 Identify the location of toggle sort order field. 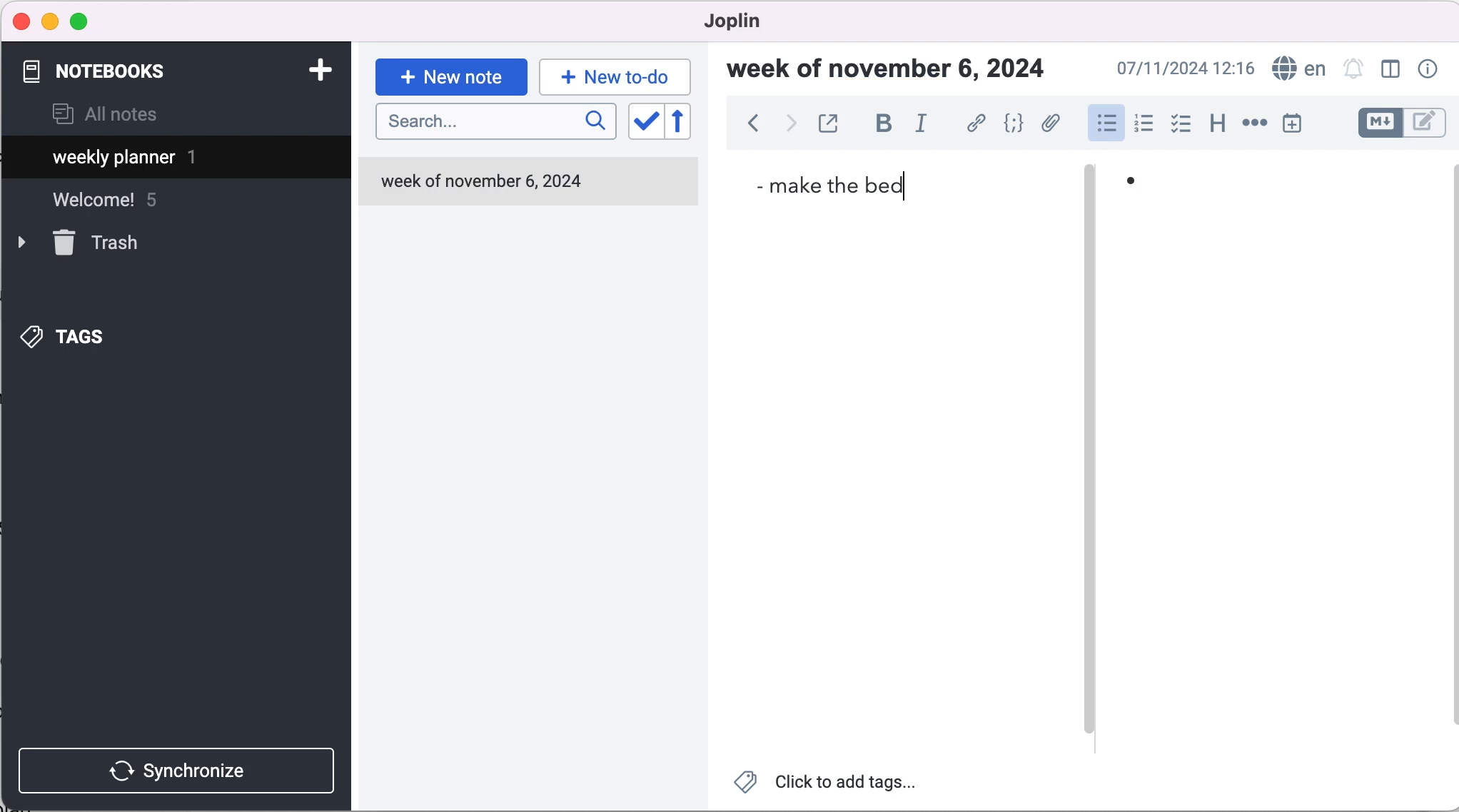
(644, 126).